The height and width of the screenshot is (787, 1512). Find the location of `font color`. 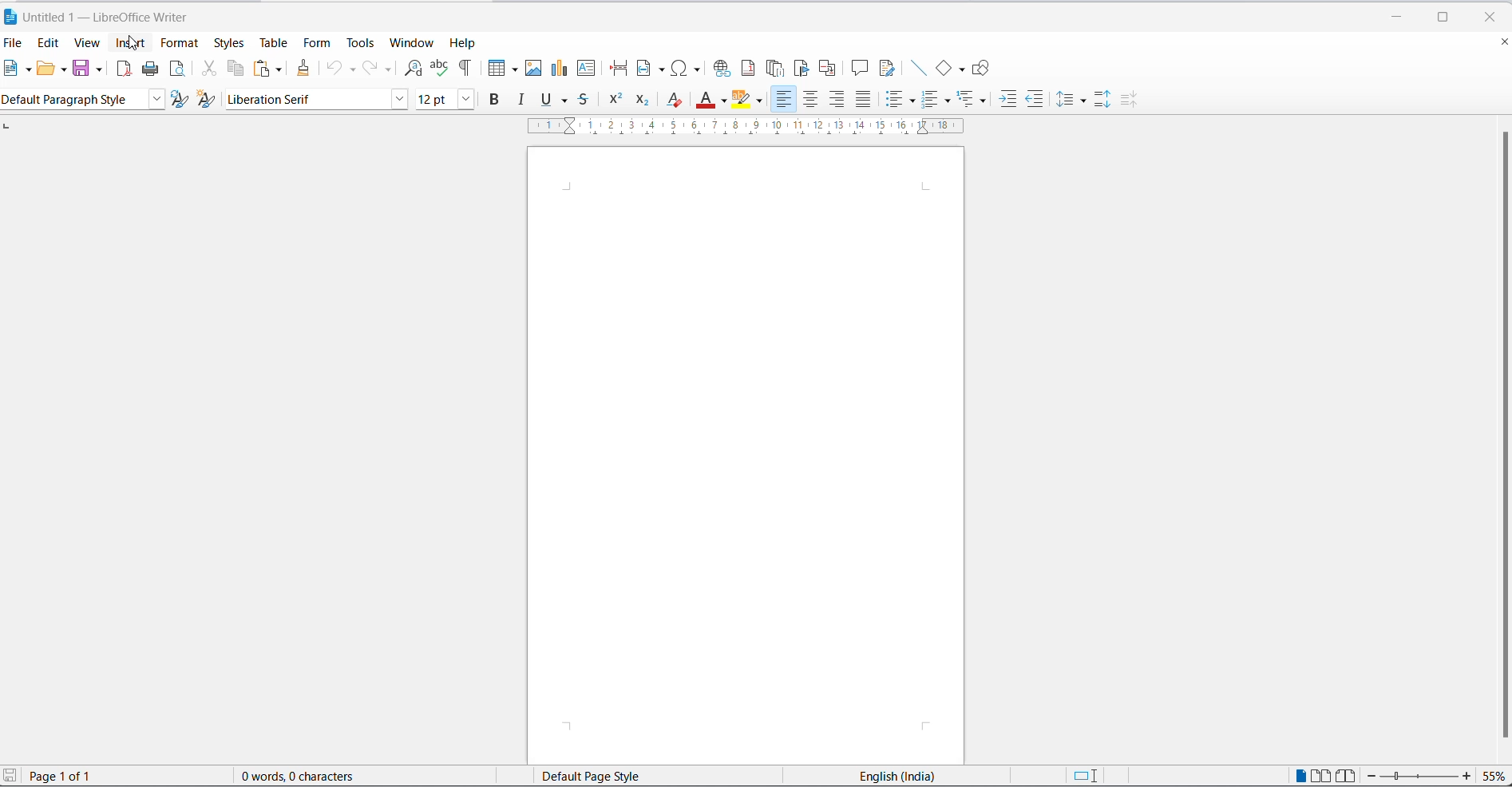

font color is located at coordinates (703, 99).